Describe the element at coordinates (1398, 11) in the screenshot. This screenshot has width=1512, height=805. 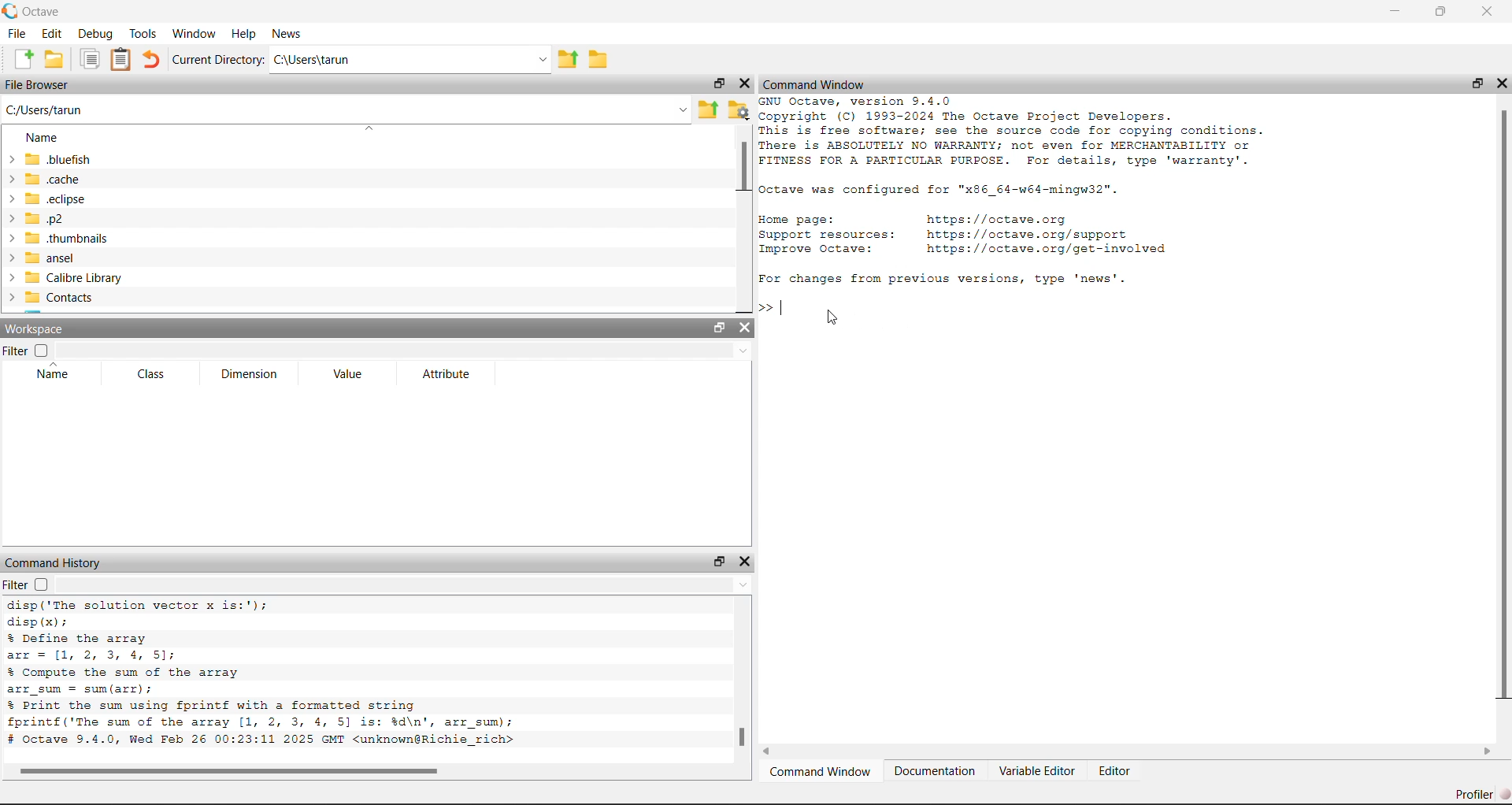
I see `Minimize` at that location.